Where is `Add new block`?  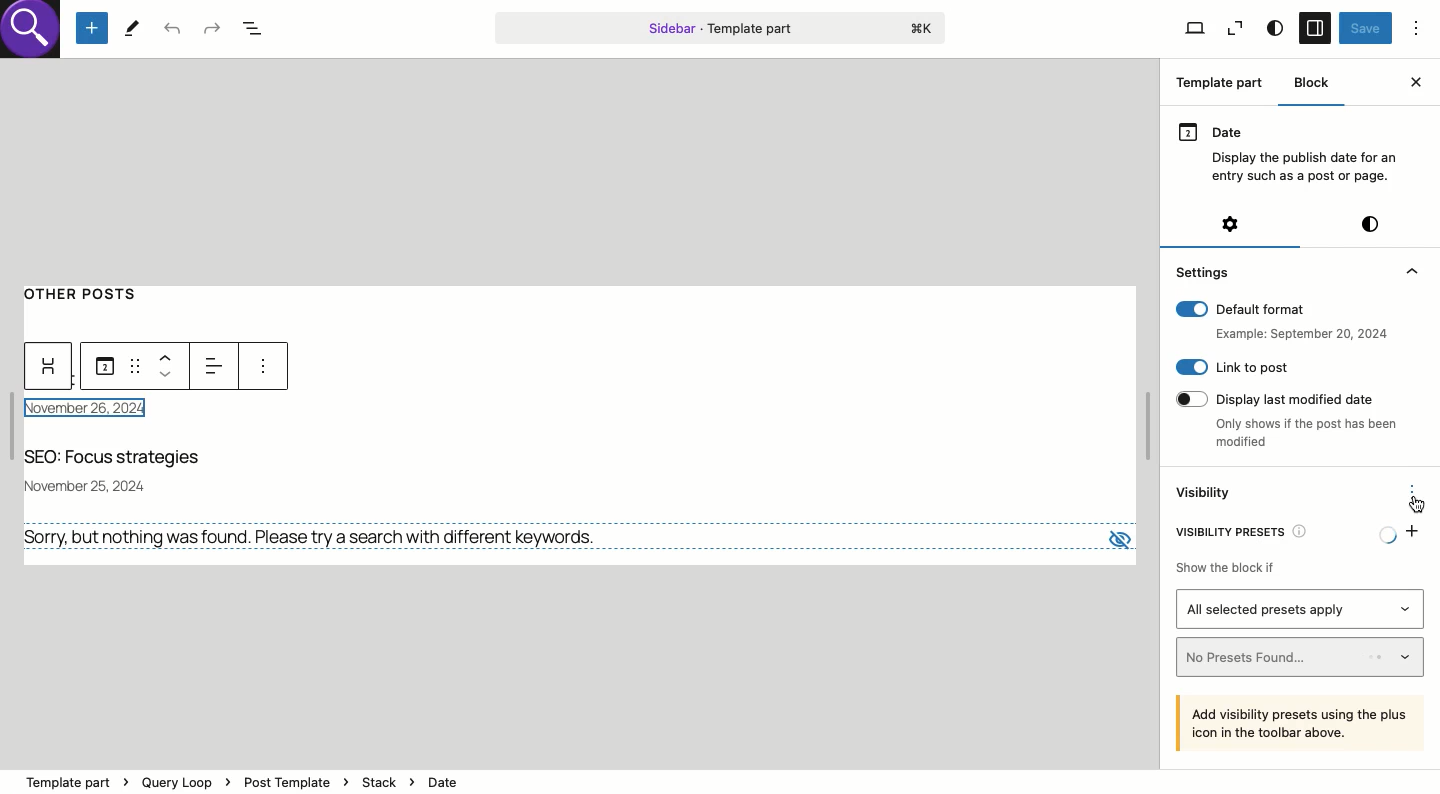 Add new block is located at coordinates (92, 29).